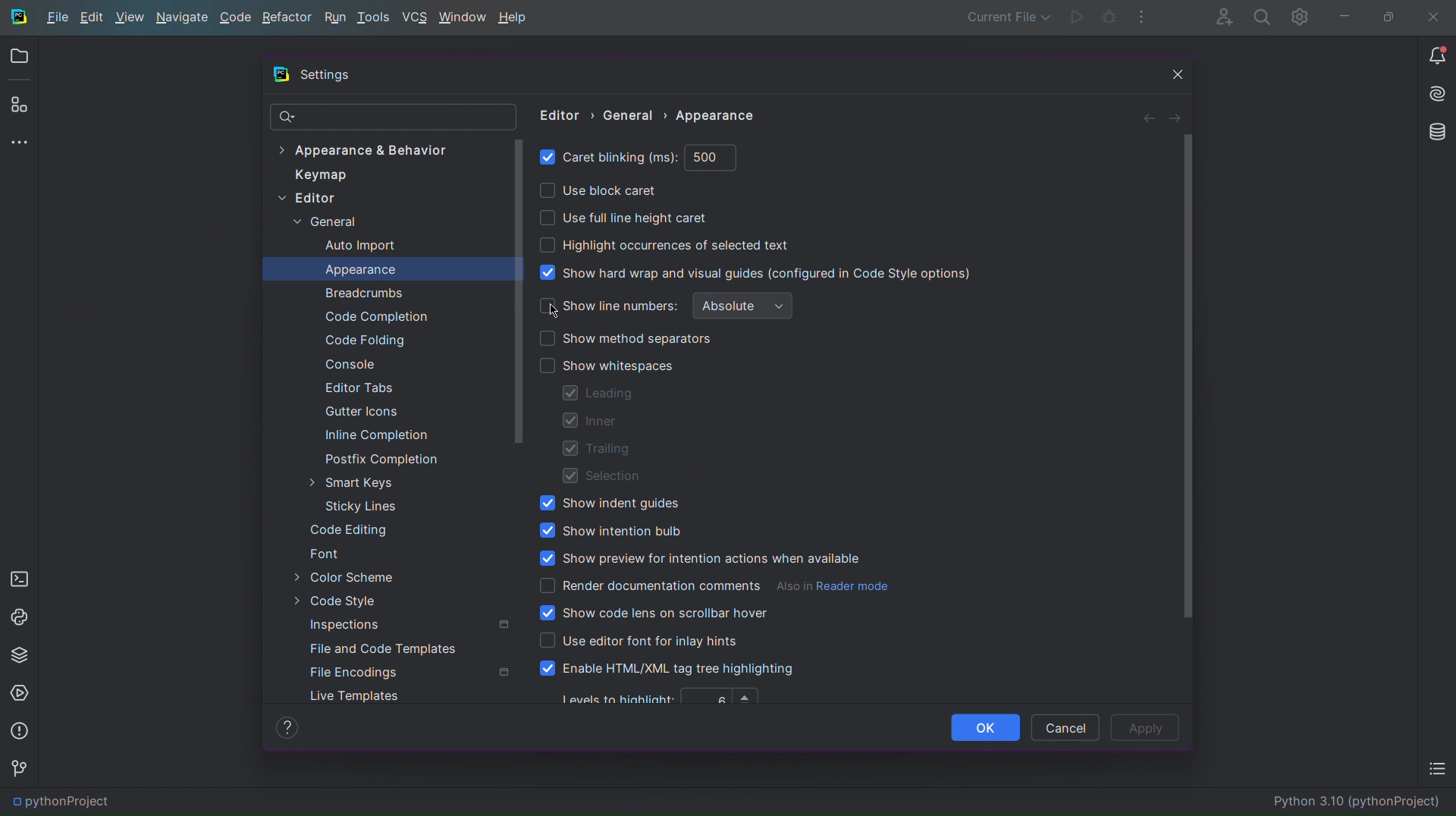 This screenshot has width=1456, height=816. I want to click on Absolute, so click(743, 306).